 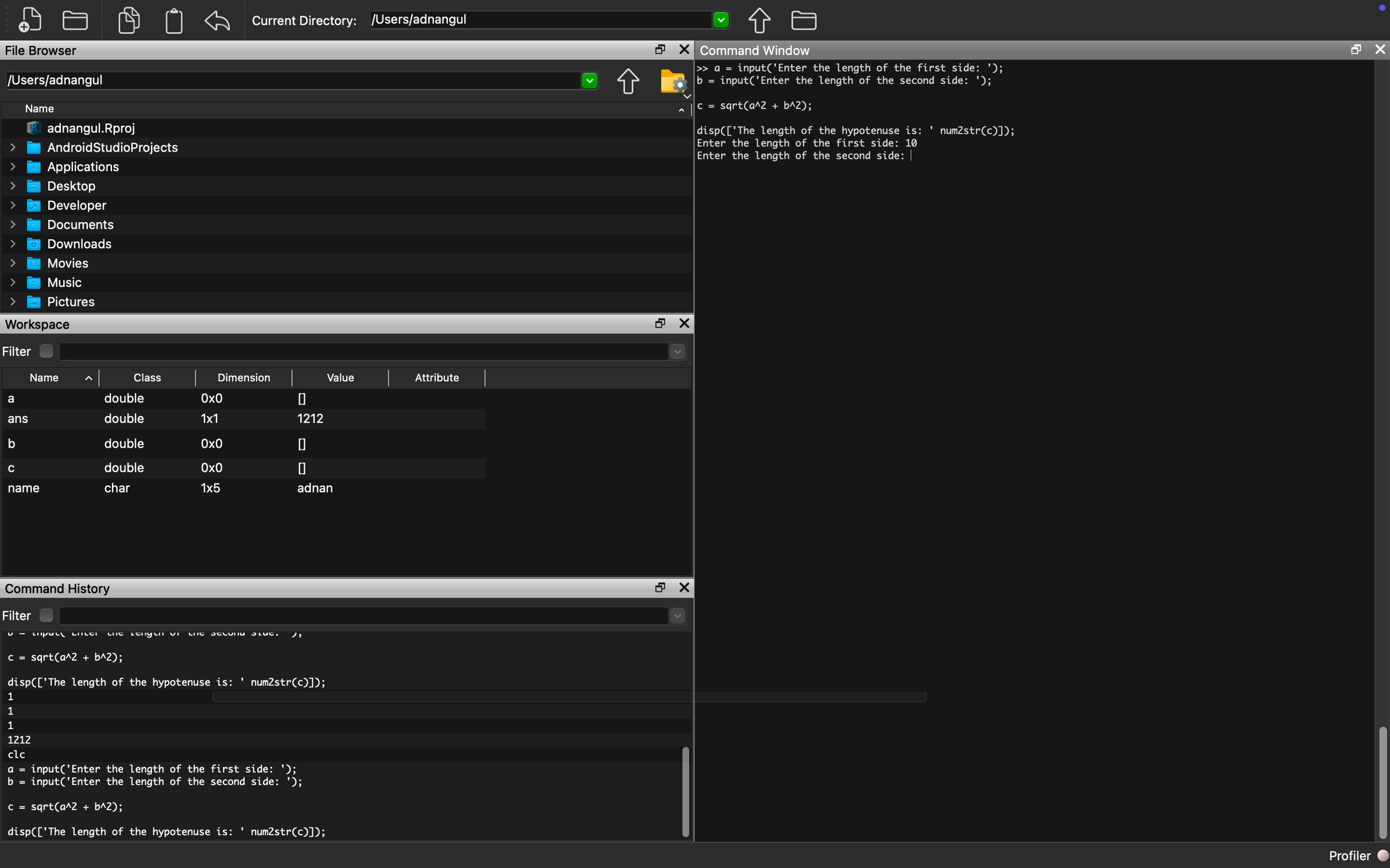 What do you see at coordinates (148, 377) in the screenshot?
I see `Class` at bounding box center [148, 377].